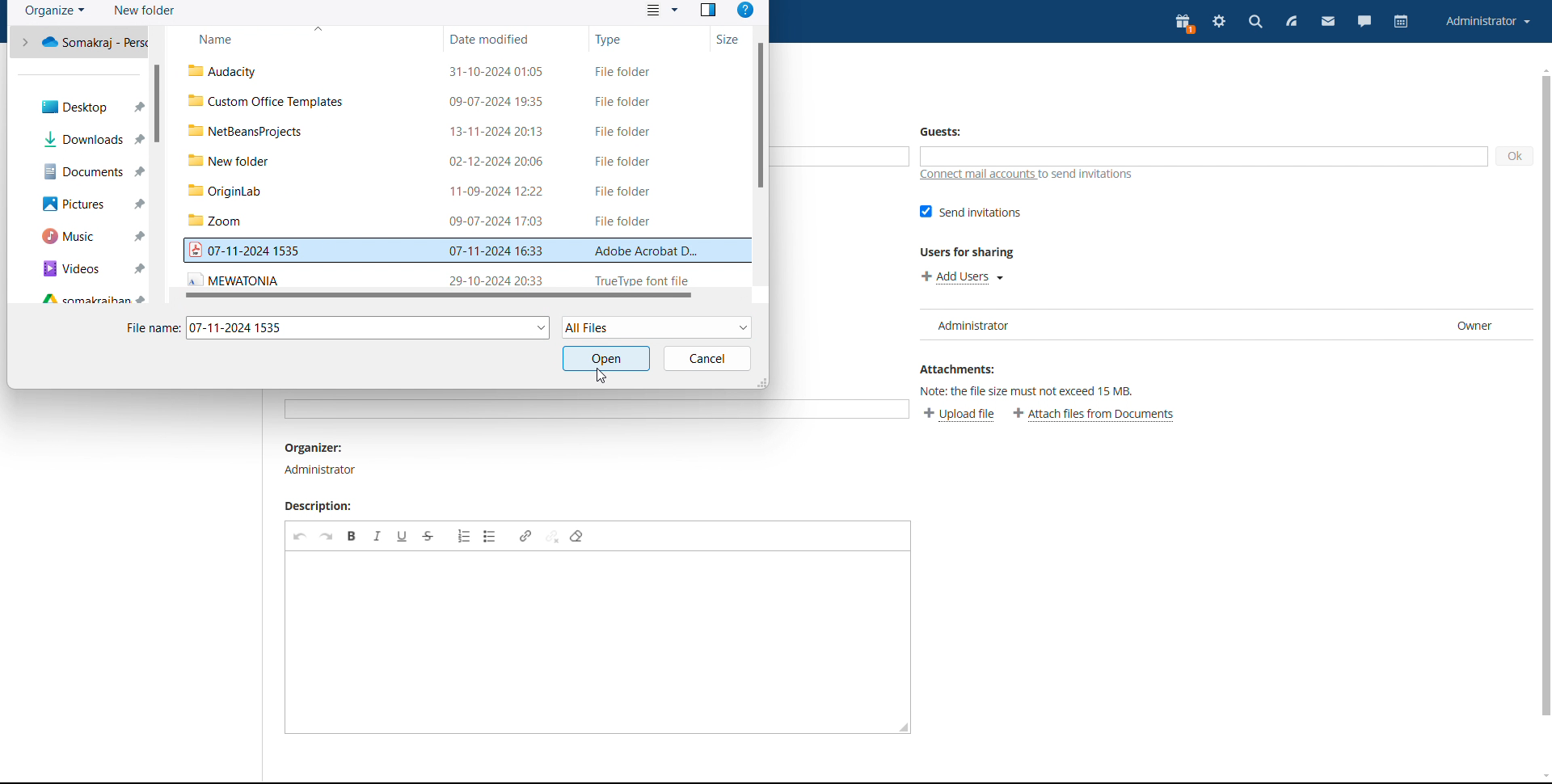  I want to click on mail, so click(1328, 22).